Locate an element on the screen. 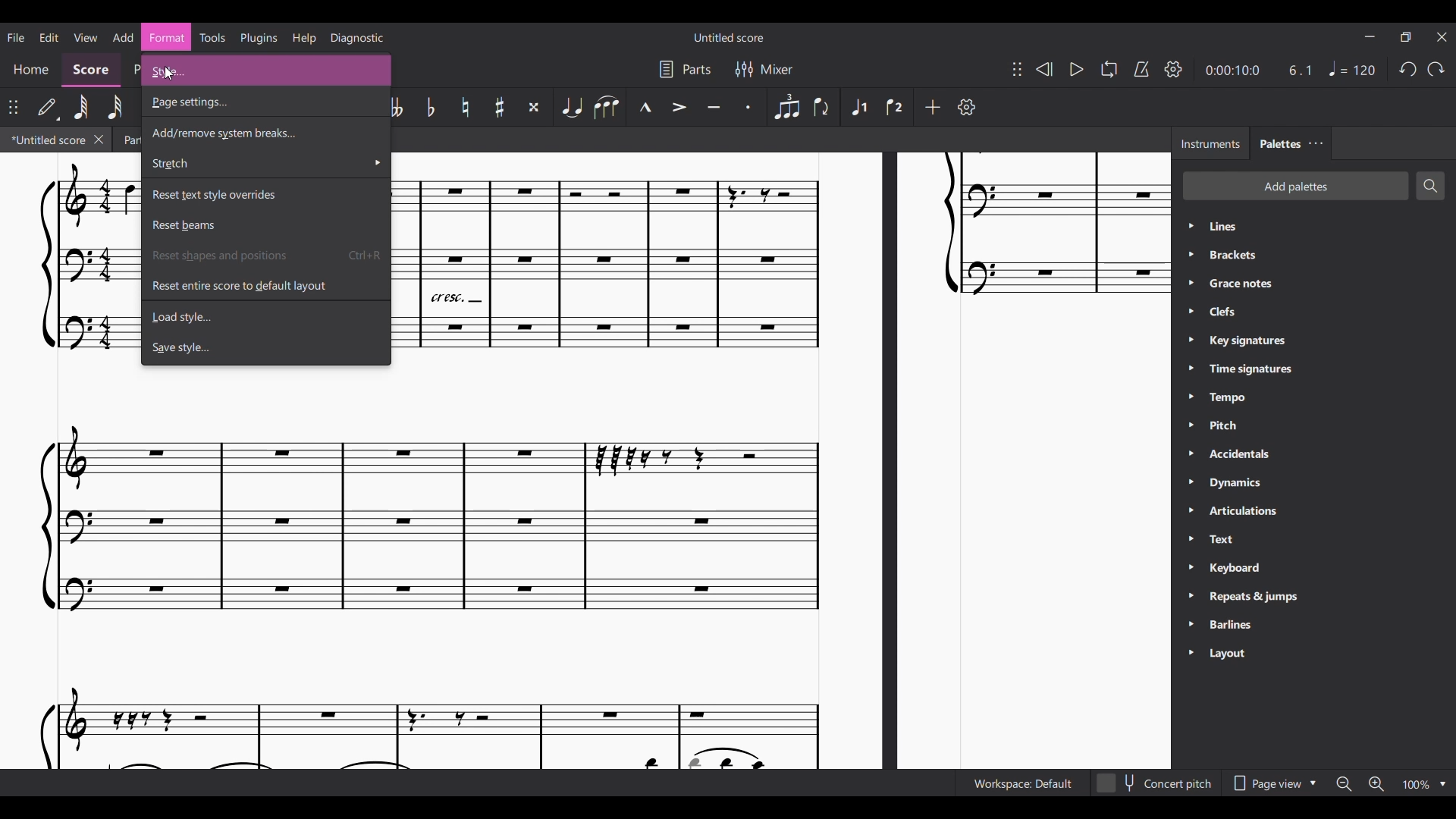 This screenshot has height=819, width=1456. Zoom in is located at coordinates (1375, 783).